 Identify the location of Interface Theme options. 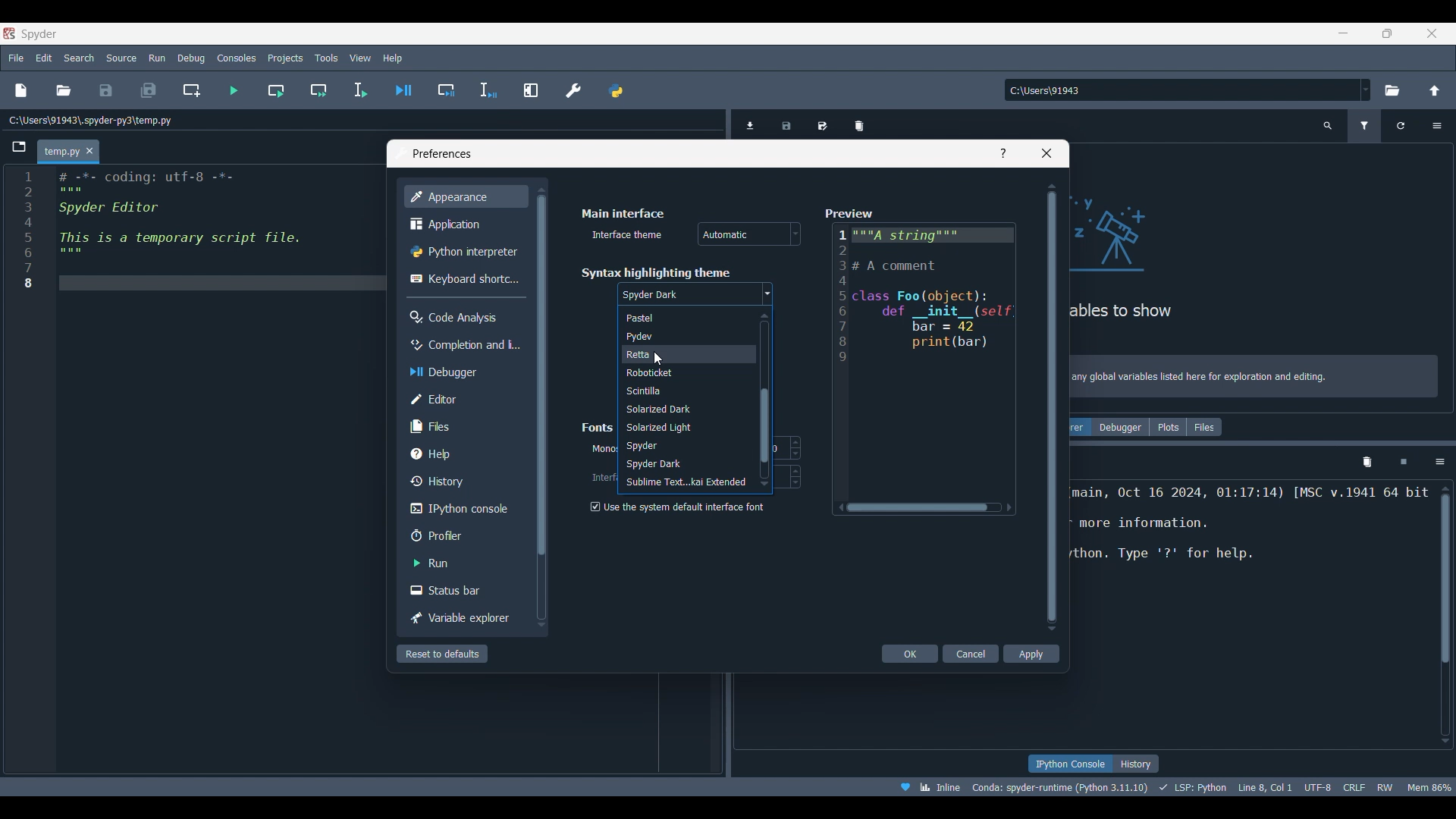
(749, 234).